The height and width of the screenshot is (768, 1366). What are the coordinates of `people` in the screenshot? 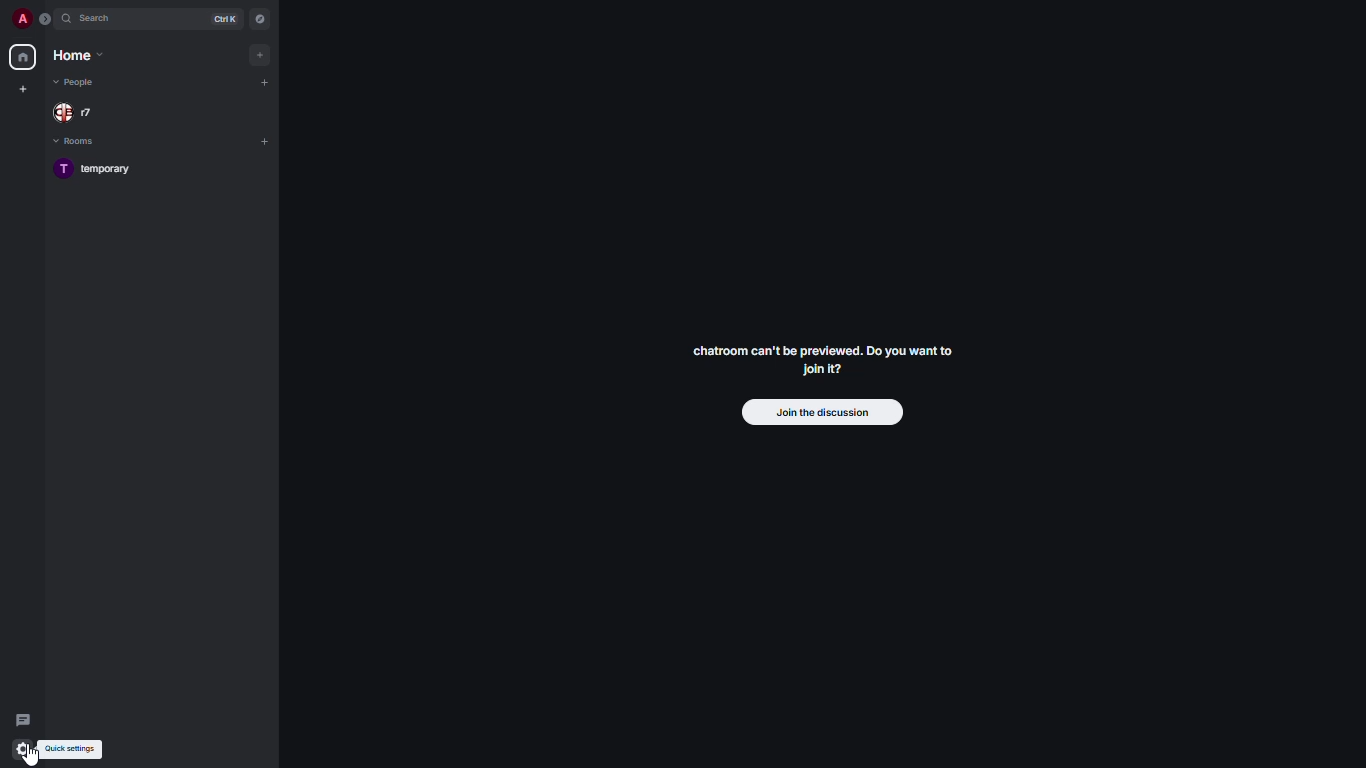 It's located at (79, 83).